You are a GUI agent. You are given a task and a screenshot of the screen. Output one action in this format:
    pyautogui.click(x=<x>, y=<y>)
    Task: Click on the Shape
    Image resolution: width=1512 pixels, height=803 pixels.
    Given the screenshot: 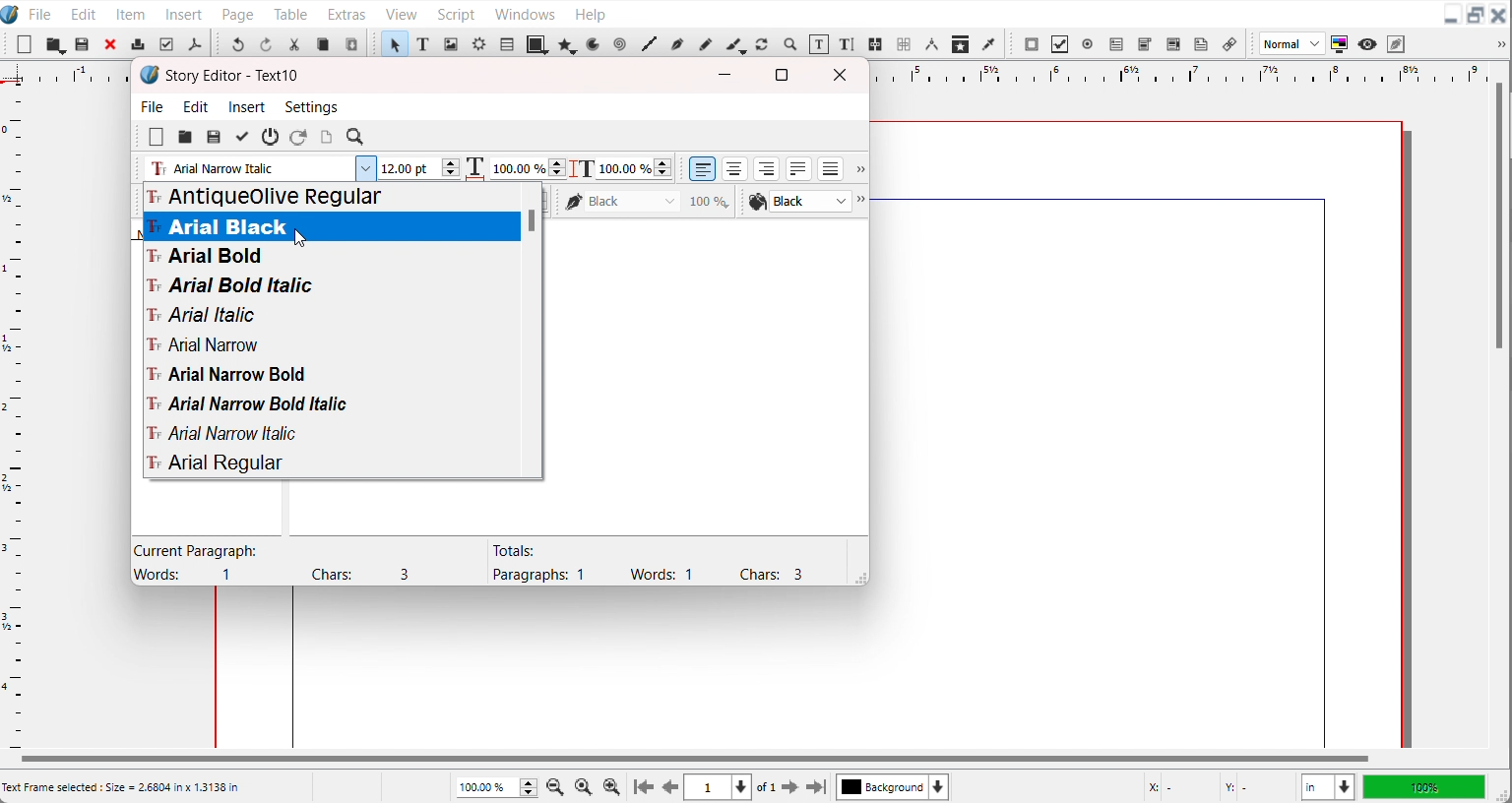 What is the action you would take?
    pyautogui.click(x=537, y=43)
    